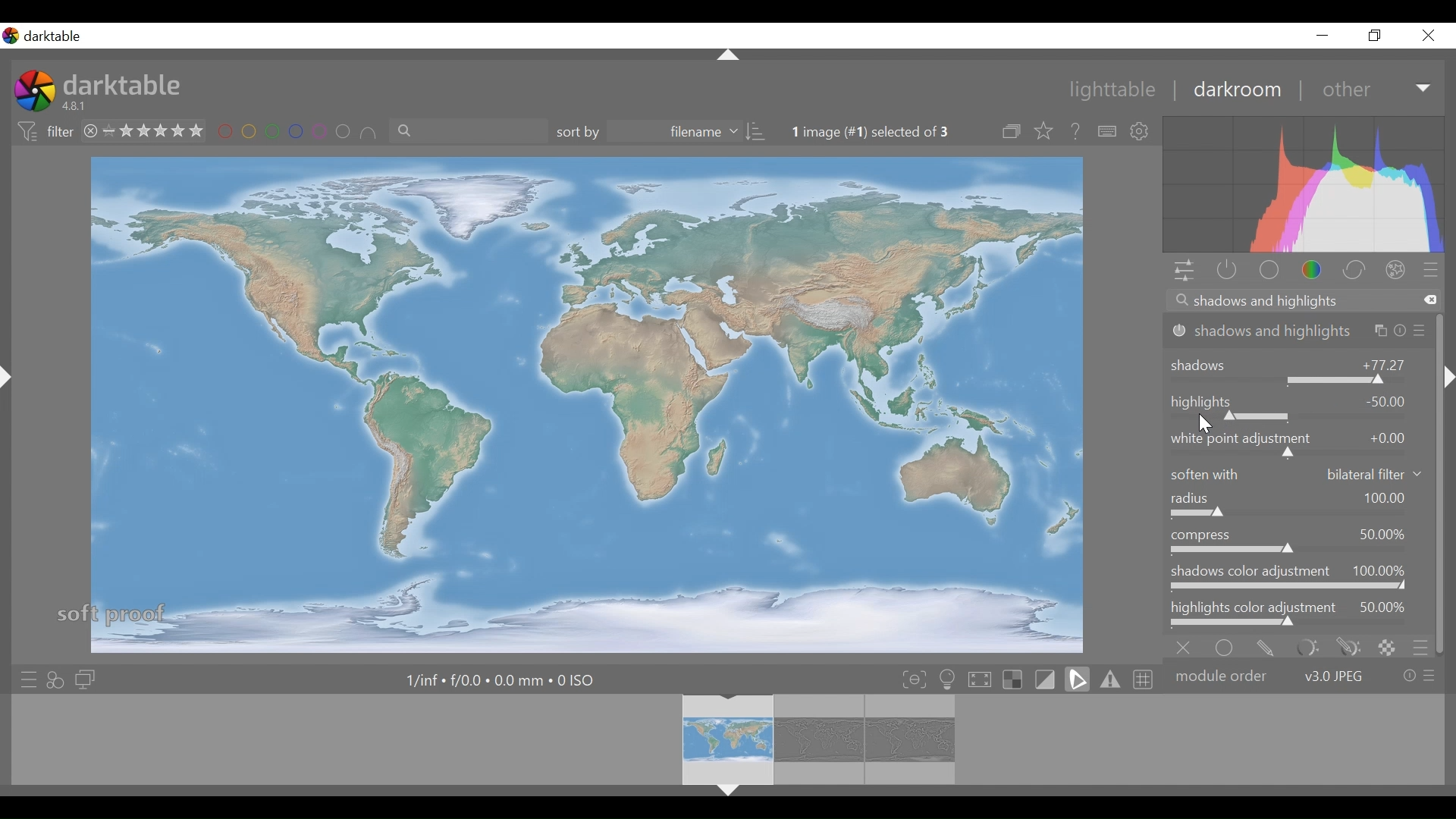  What do you see at coordinates (1298, 579) in the screenshot?
I see `shadow color adjustments` at bounding box center [1298, 579].